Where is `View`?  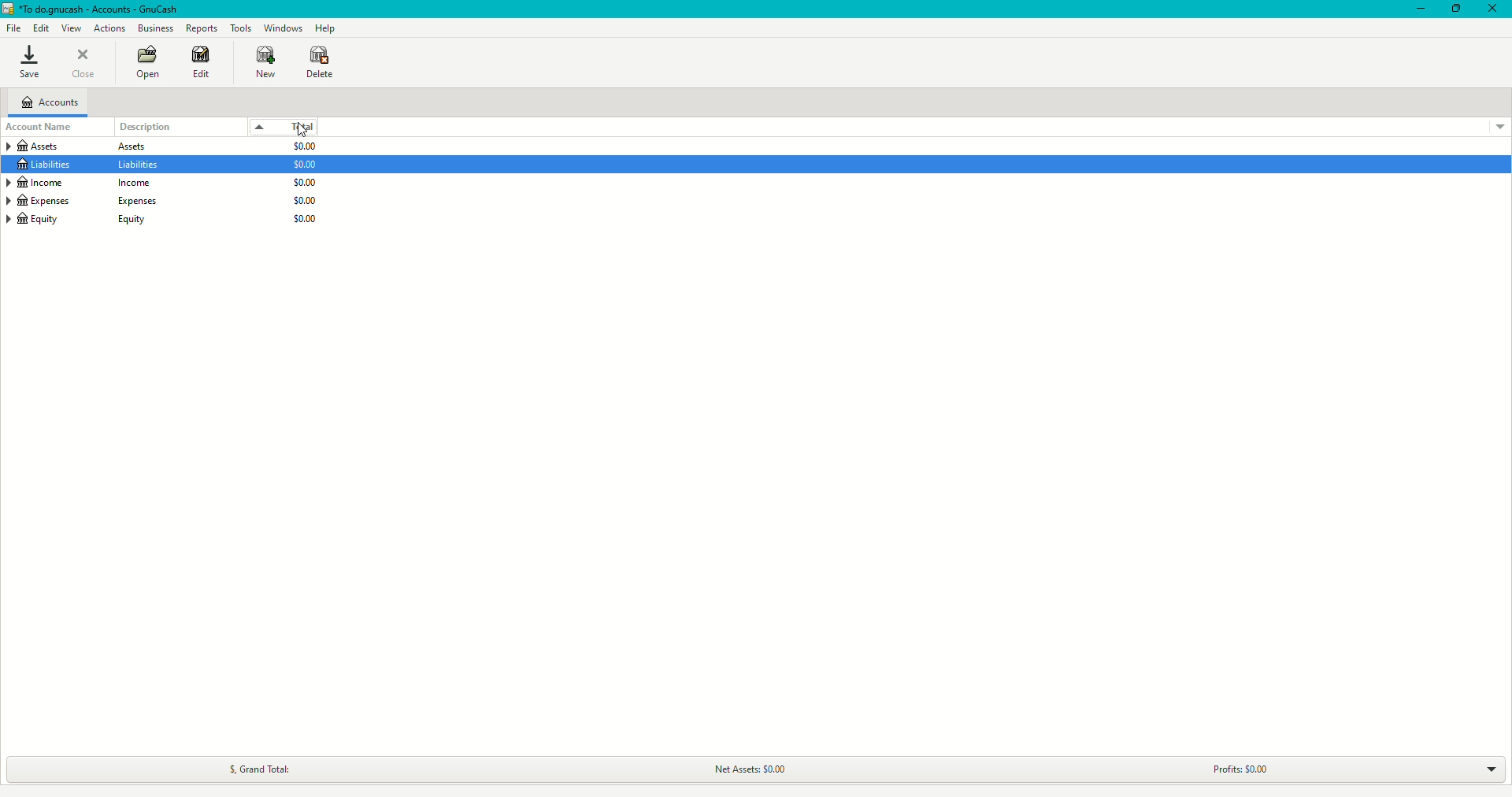 View is located at coordinates (71, 28).